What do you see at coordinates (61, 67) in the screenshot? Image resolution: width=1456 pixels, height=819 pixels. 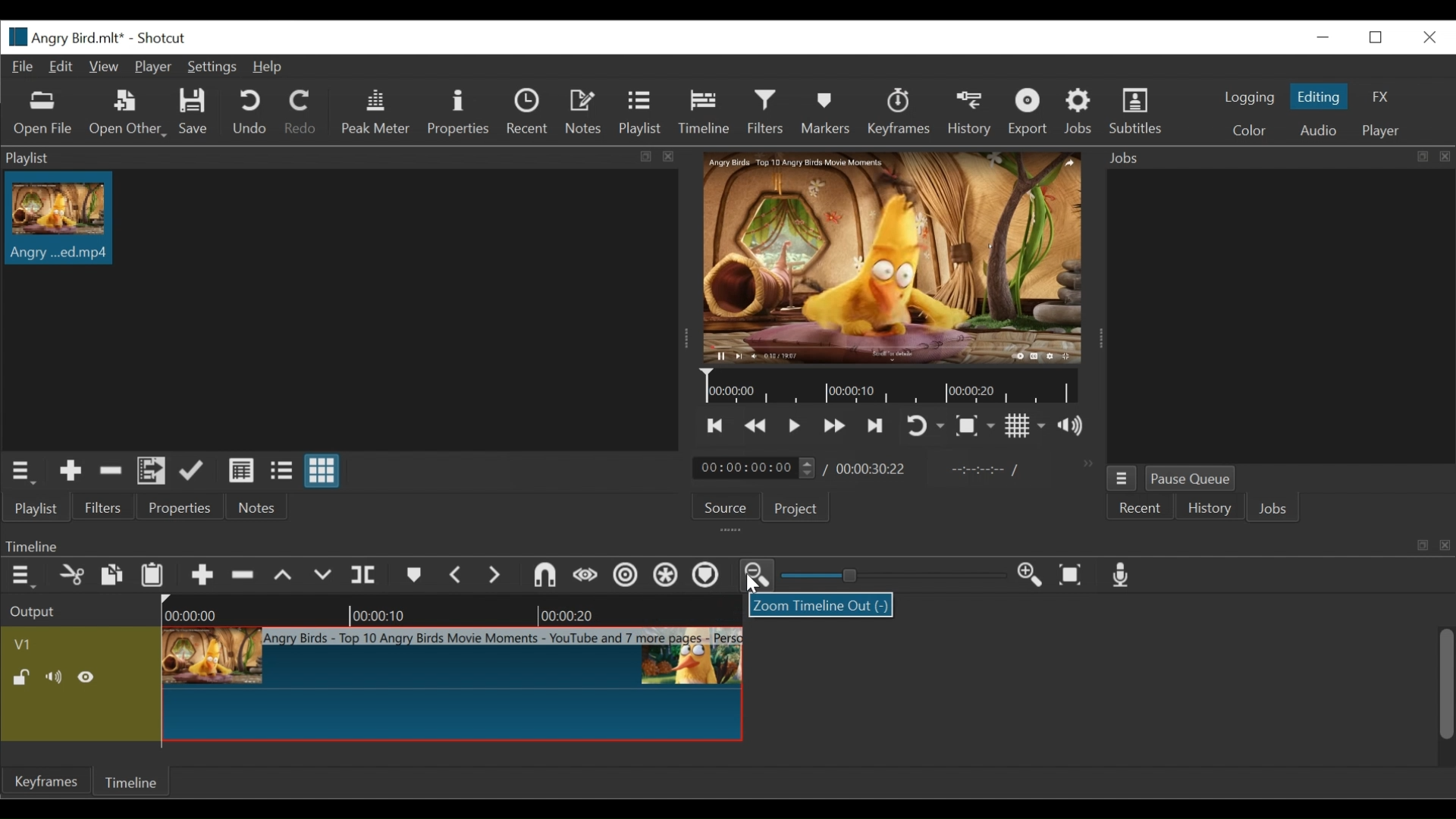 I see `Edit` at bounding box center [61, 67].